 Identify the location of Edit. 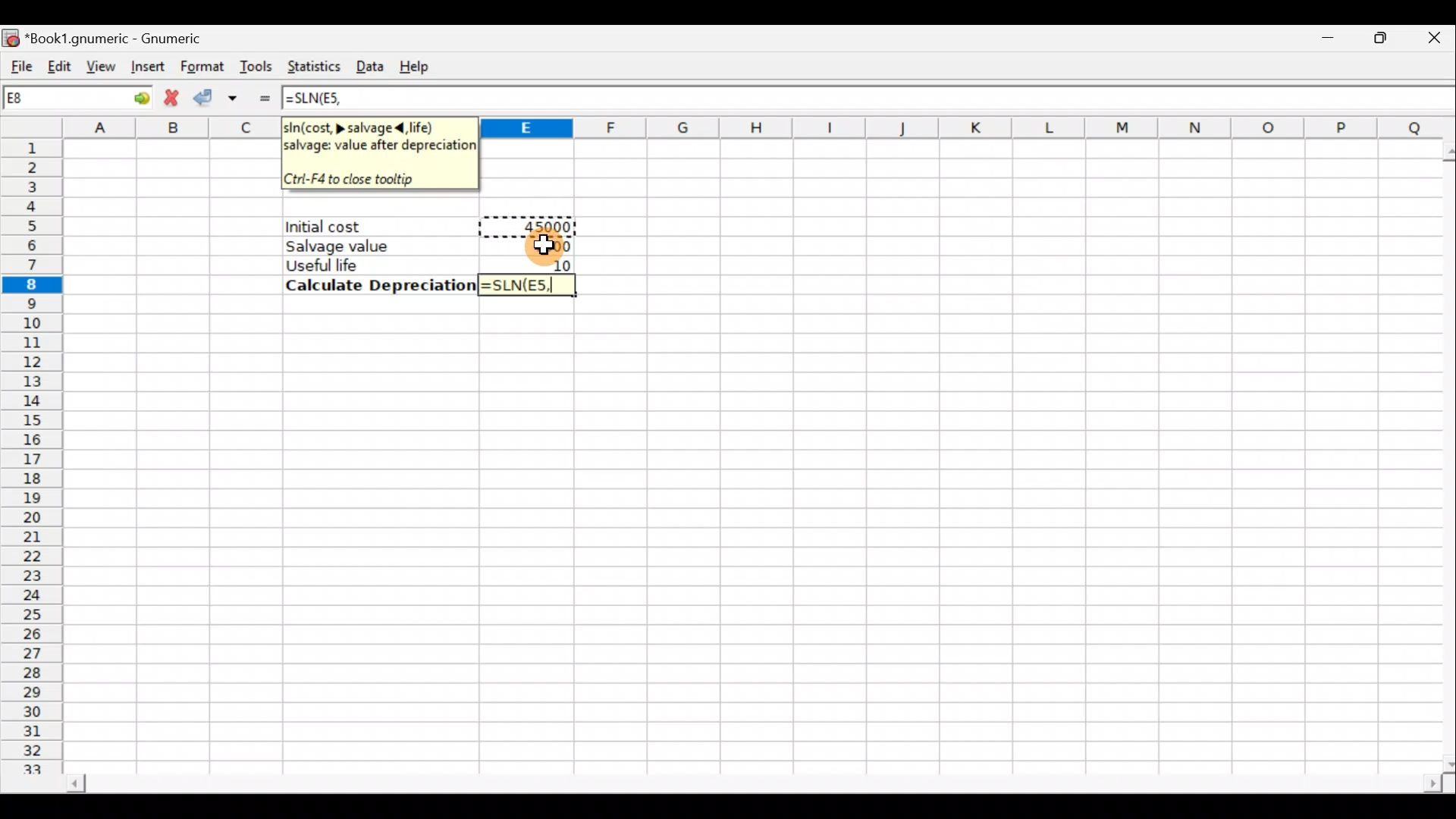
(55, 63).